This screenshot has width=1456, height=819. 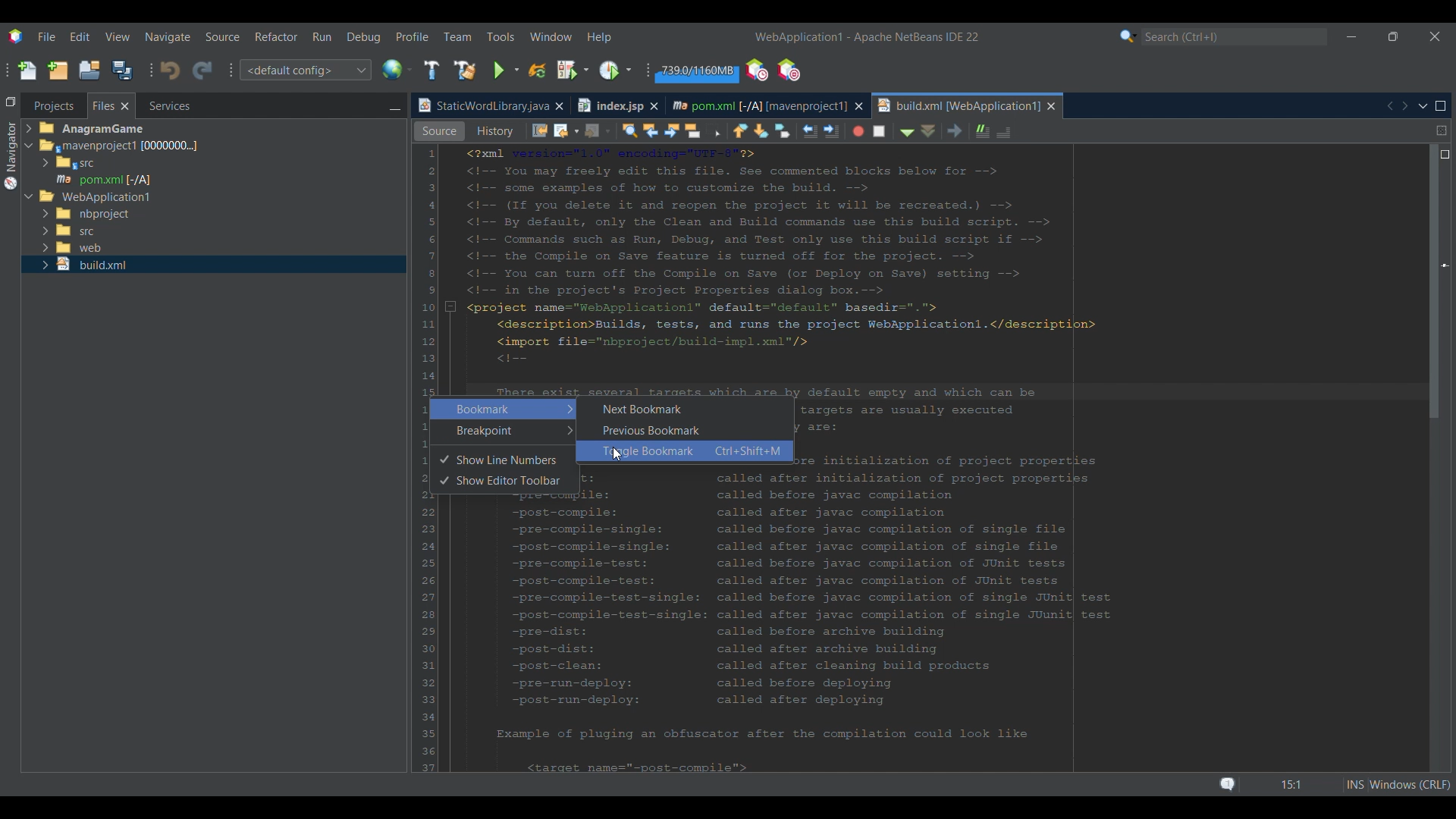 What do you see at coordinates (213, 265) in the screenshot?
I see `Selected file highlighted` at bounding box center [213, 265].